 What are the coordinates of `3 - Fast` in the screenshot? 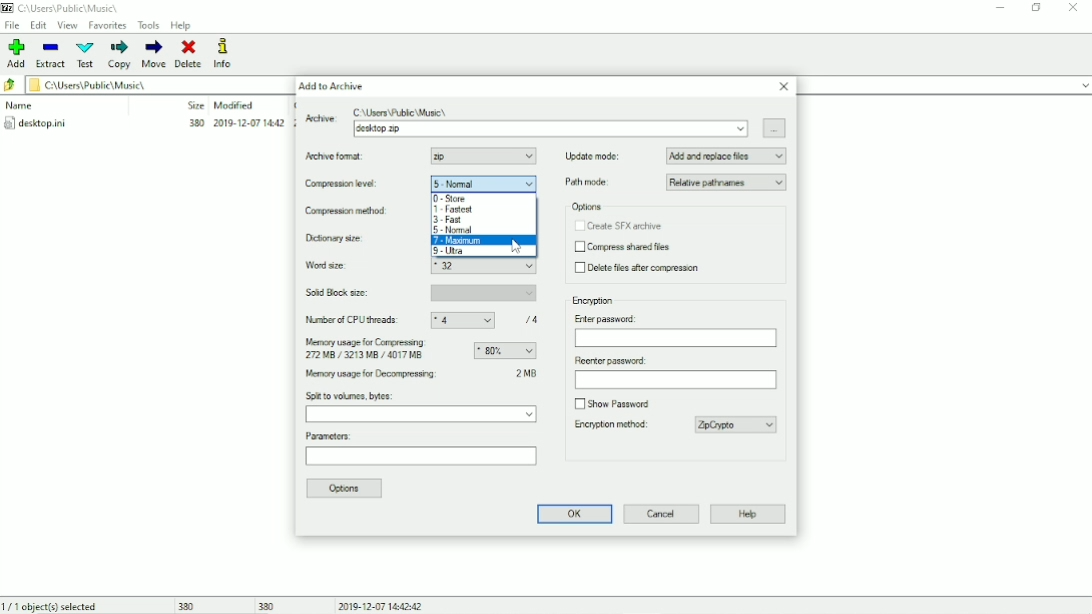 It's located at (452, 220).